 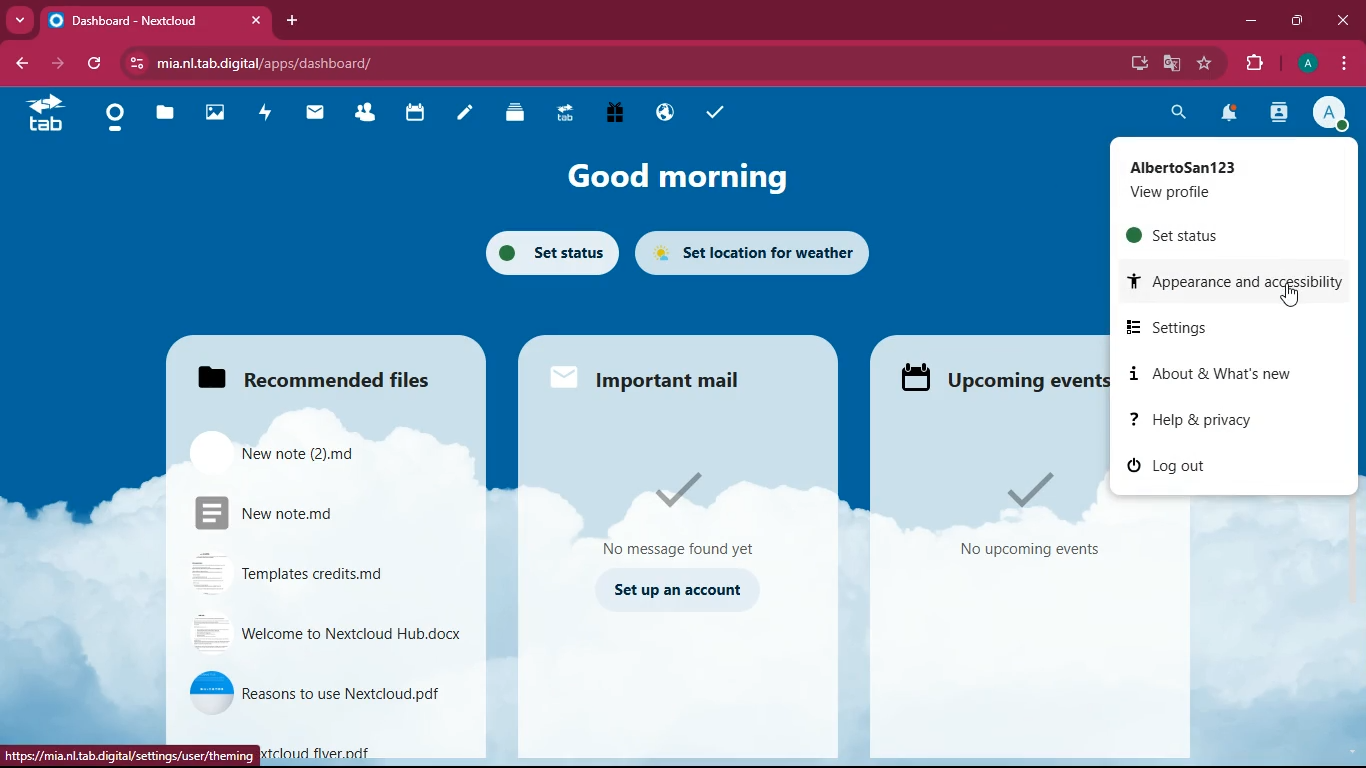 I want to click on set status, so click(x=544, y=253).